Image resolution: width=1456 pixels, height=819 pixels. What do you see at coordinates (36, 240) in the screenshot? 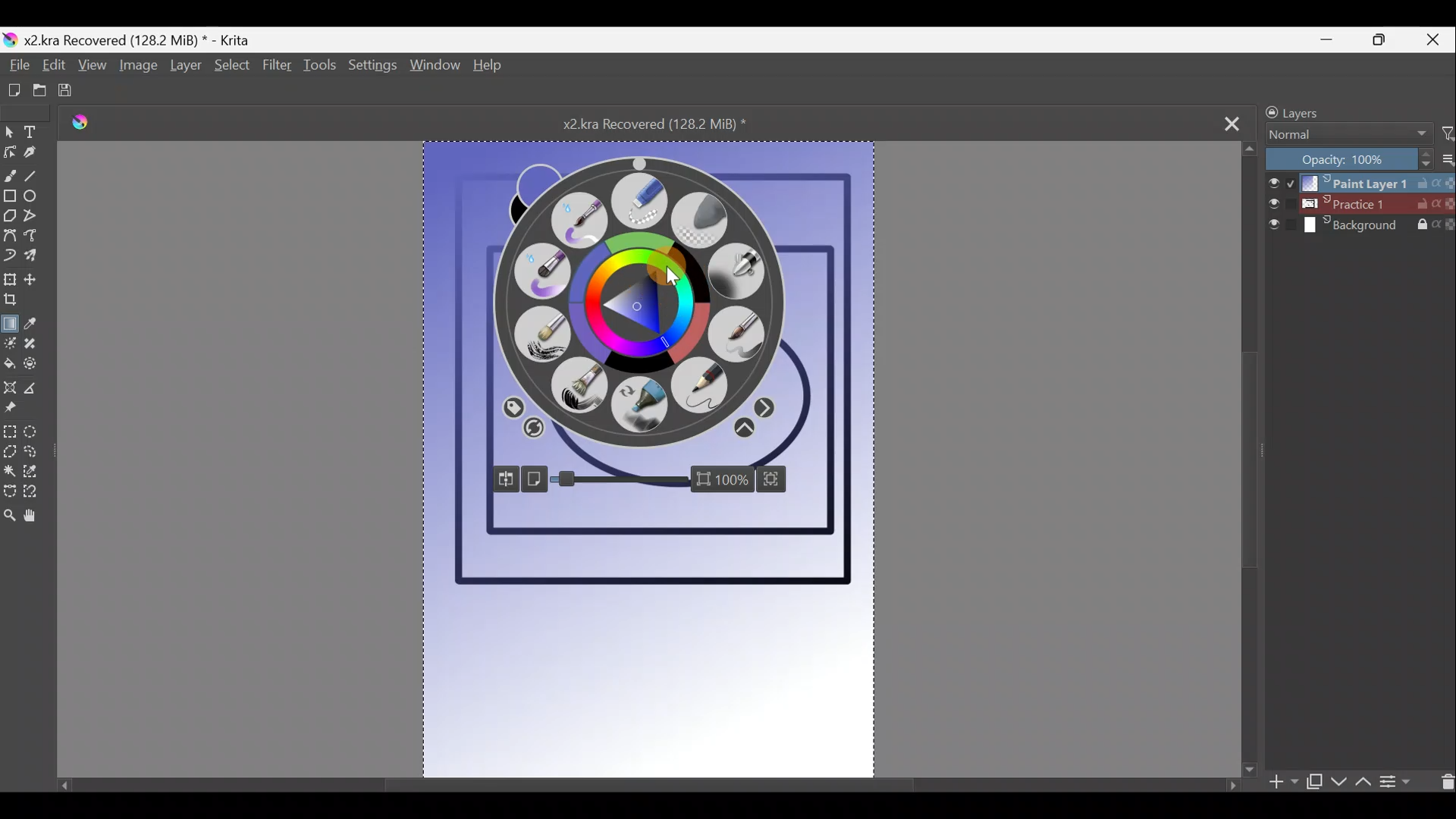
I see `Freehand path tool` at bounding box center [36, 240].